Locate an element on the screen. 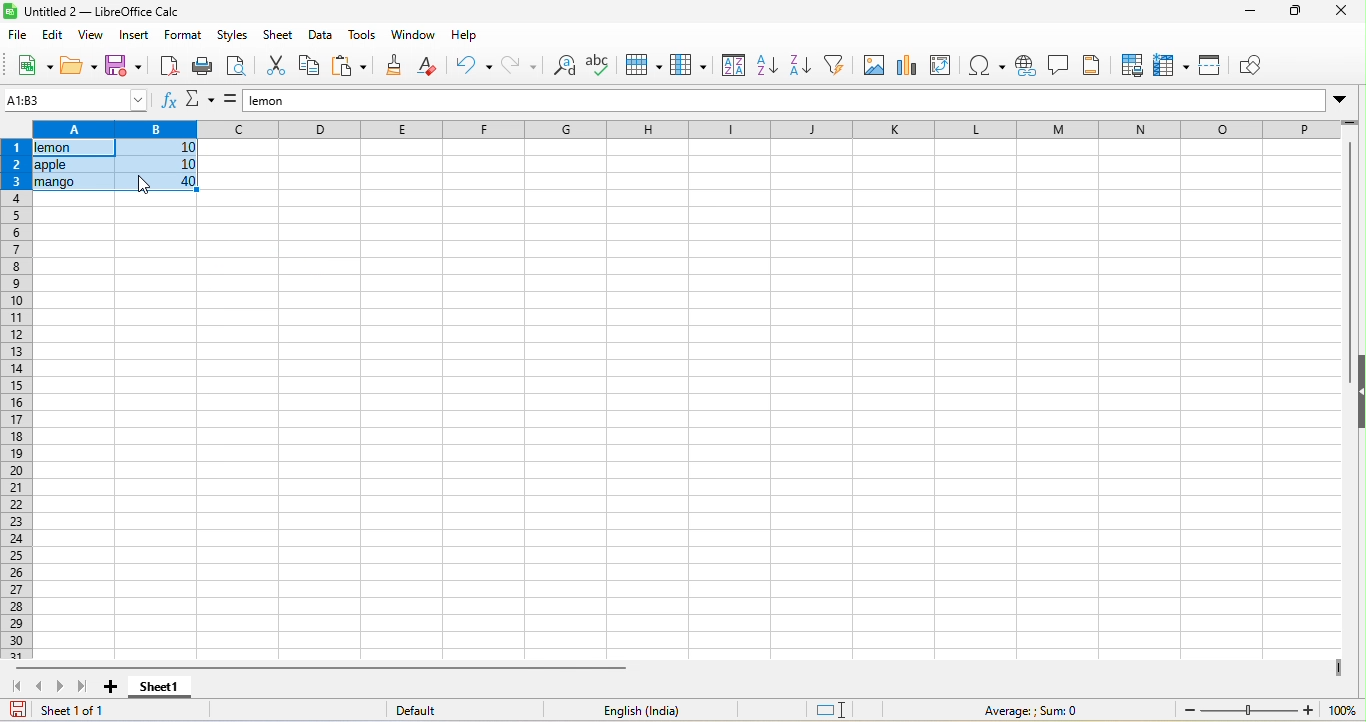  print area is located at coordinates (1131, 67).